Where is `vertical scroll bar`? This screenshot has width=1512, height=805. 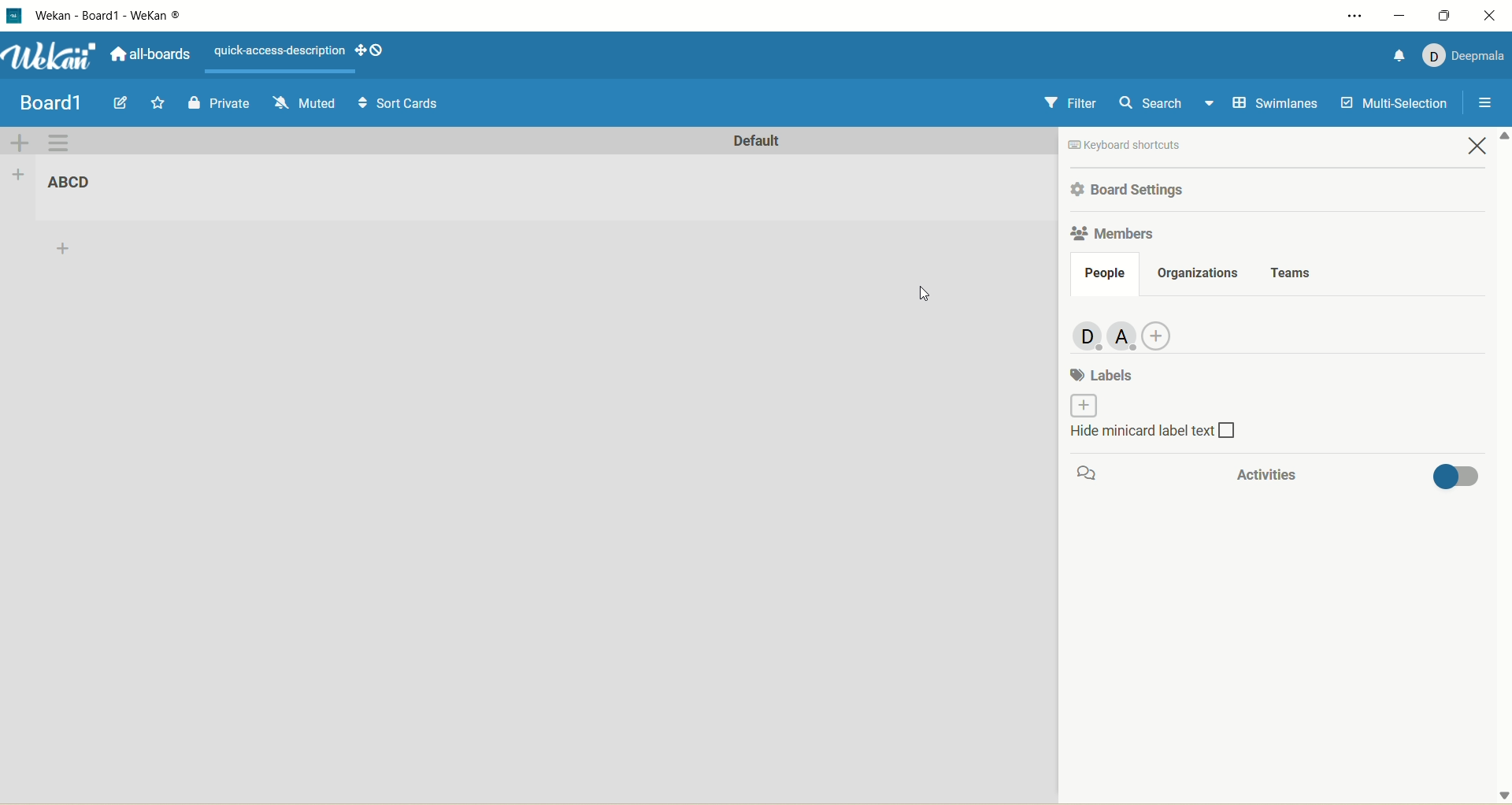
vertical scroll bar is located at coordinates (1503, 467).